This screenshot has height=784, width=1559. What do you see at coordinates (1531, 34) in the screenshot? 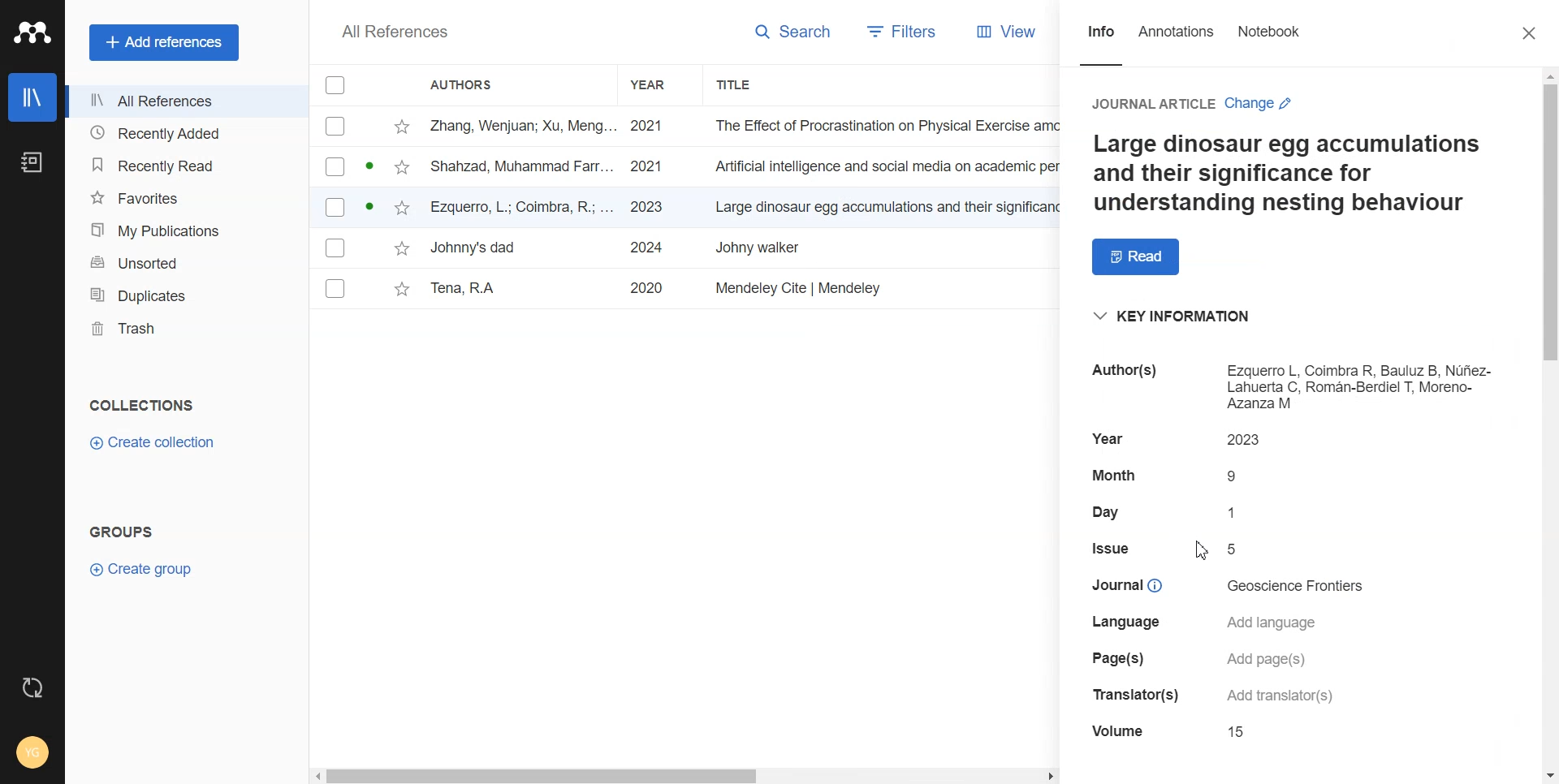
I see `Close` at bounding box center [1531, 34].